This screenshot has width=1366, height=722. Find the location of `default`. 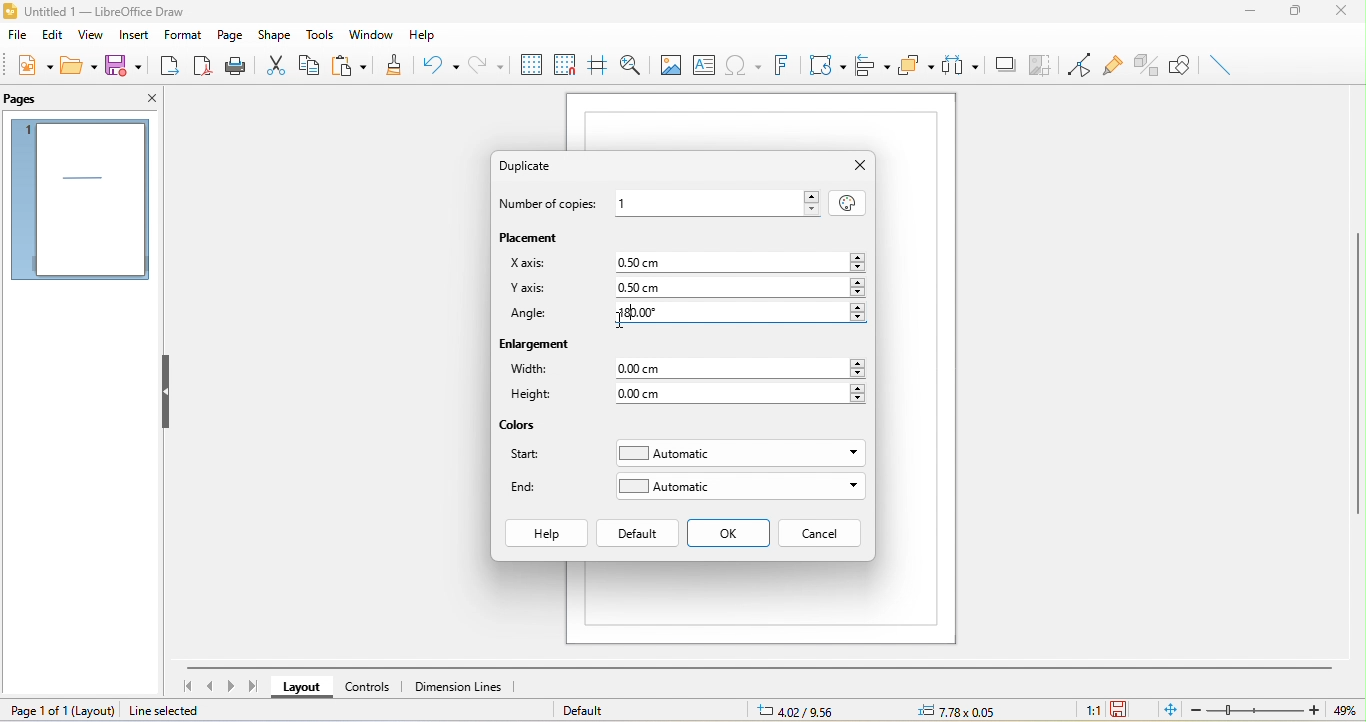

default is located at coordinates (590, 710).